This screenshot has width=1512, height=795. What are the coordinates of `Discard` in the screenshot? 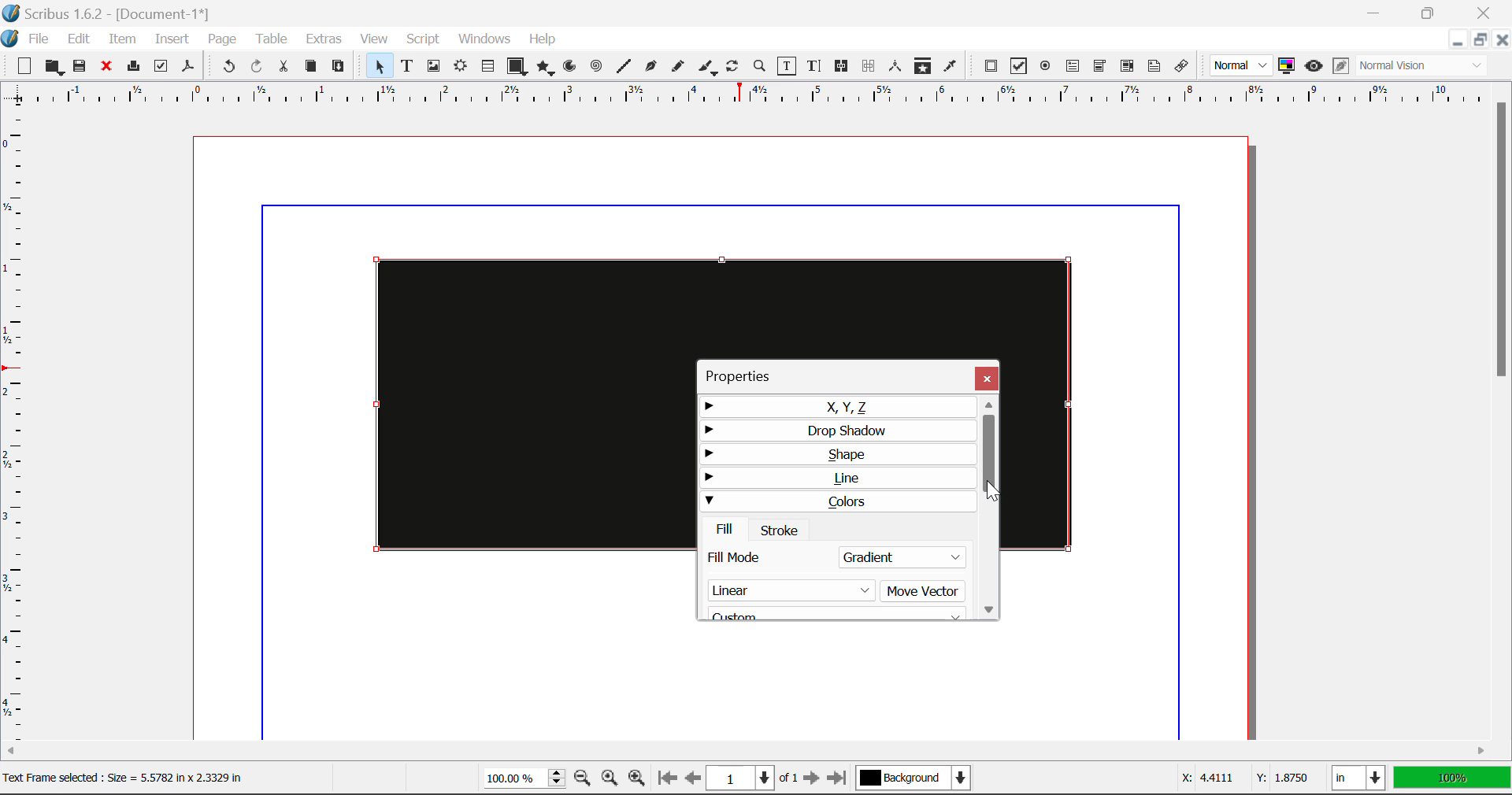 It's located at (106, 68).